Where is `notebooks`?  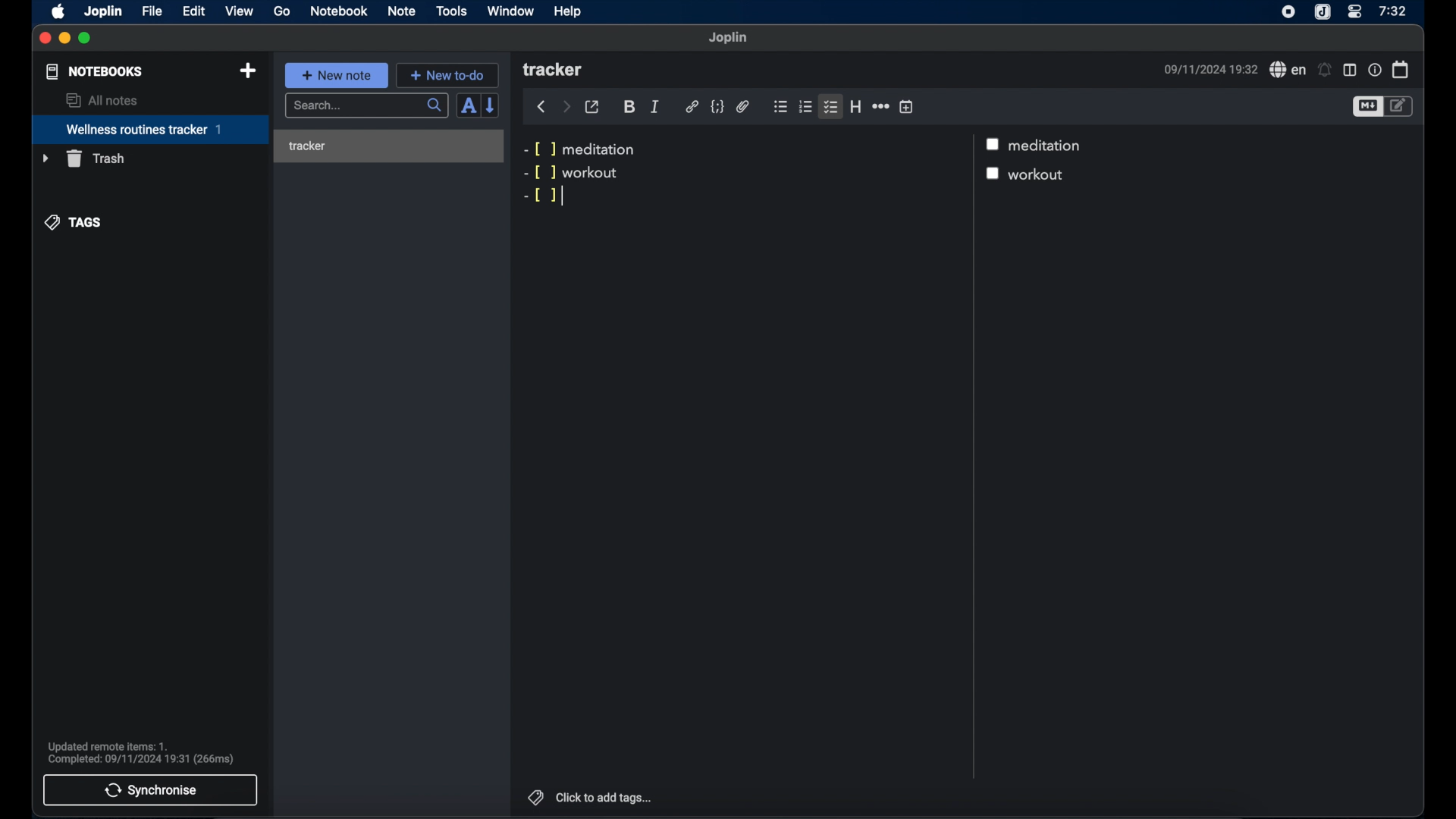 notebooks is located at coordinates (95, 71).